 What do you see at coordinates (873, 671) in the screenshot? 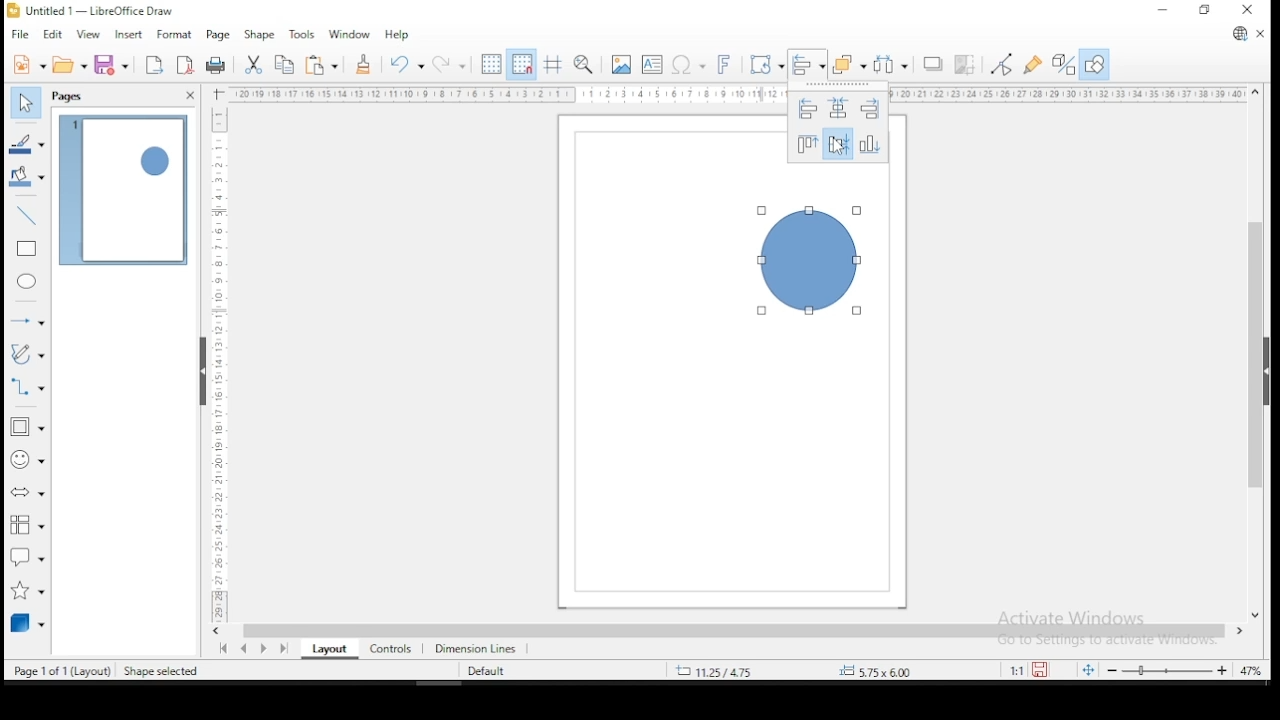
I see `5.75x6.00` at bounding box center [873, 671].